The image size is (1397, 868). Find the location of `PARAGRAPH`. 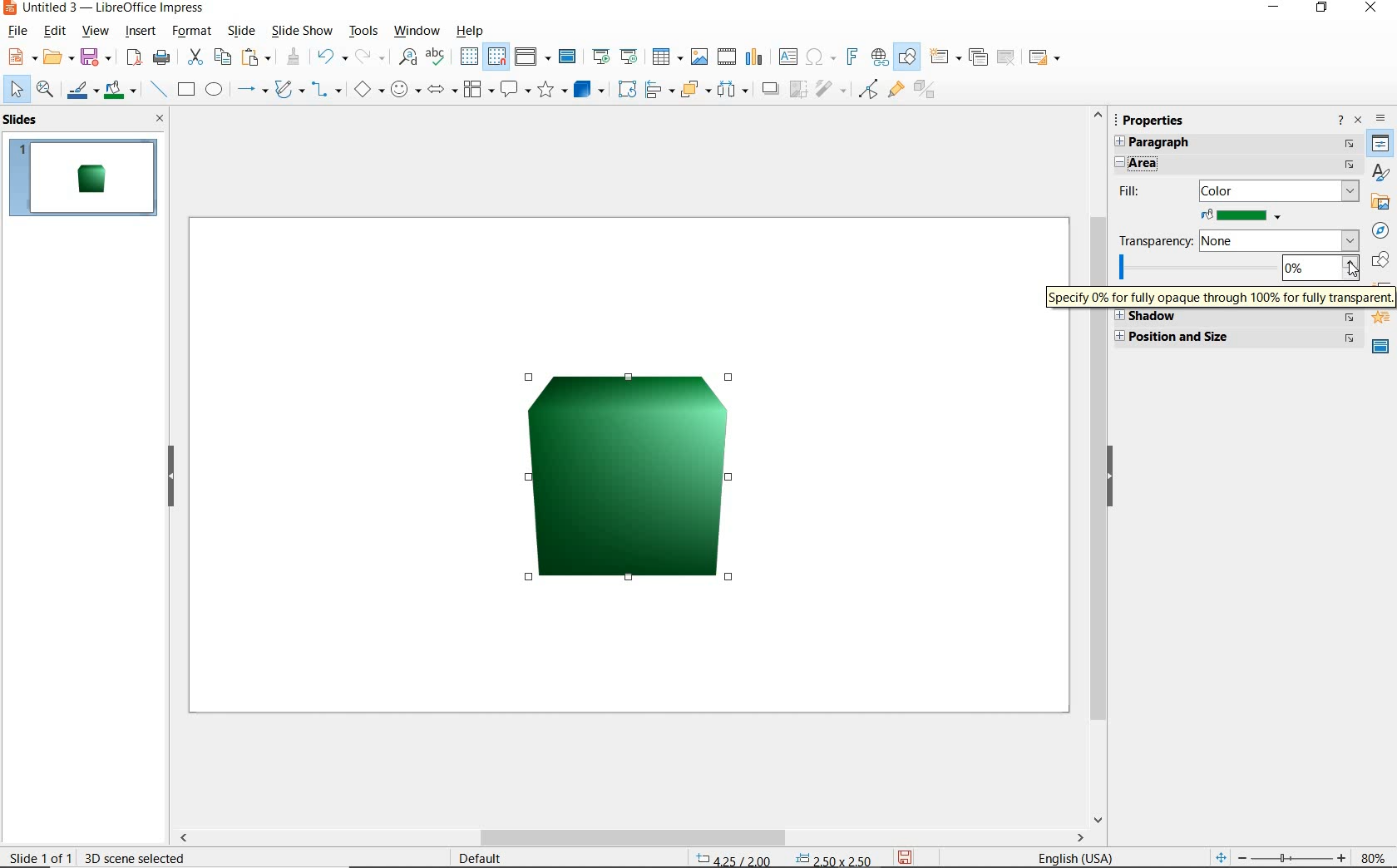

PARAGRAPH is located at coordinates (1233, 144).